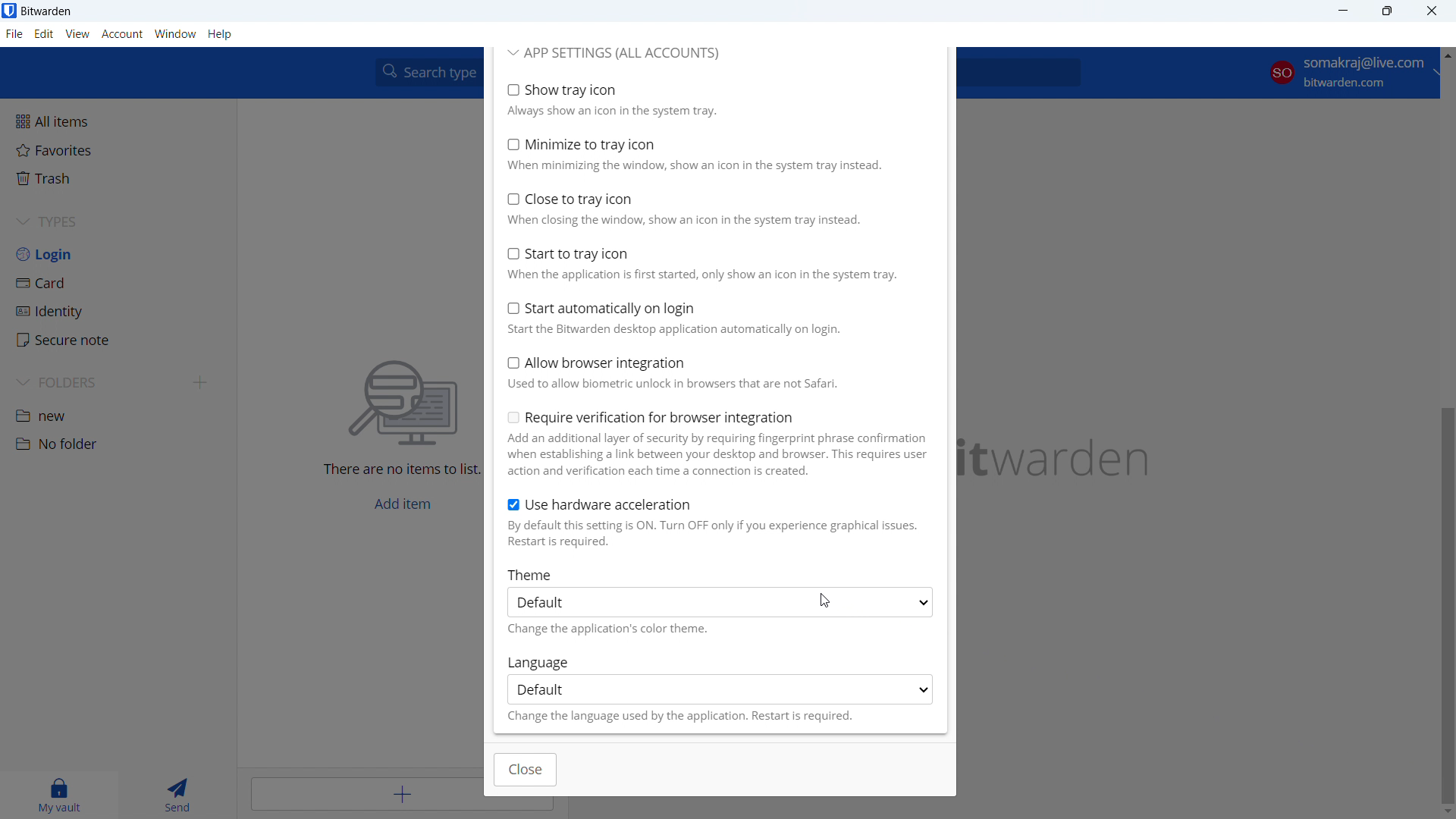  I want to click on my vault, so click(58, 795).